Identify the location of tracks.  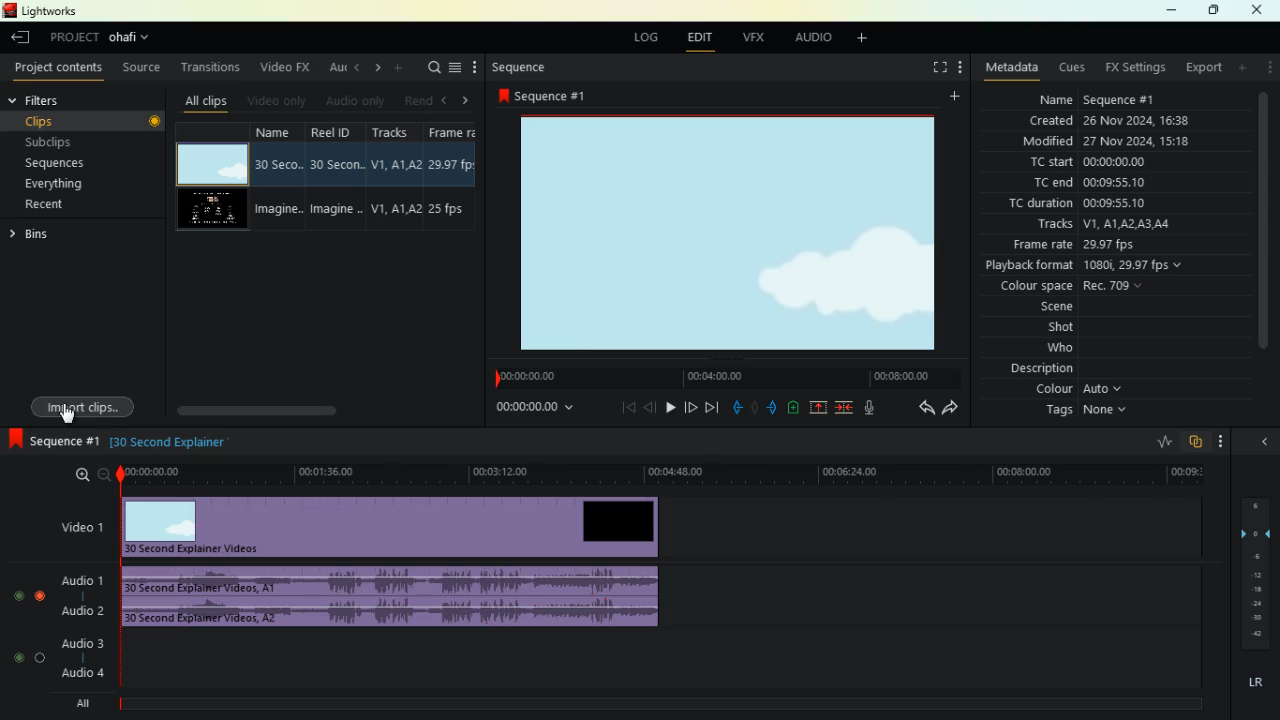
(1098, 226).